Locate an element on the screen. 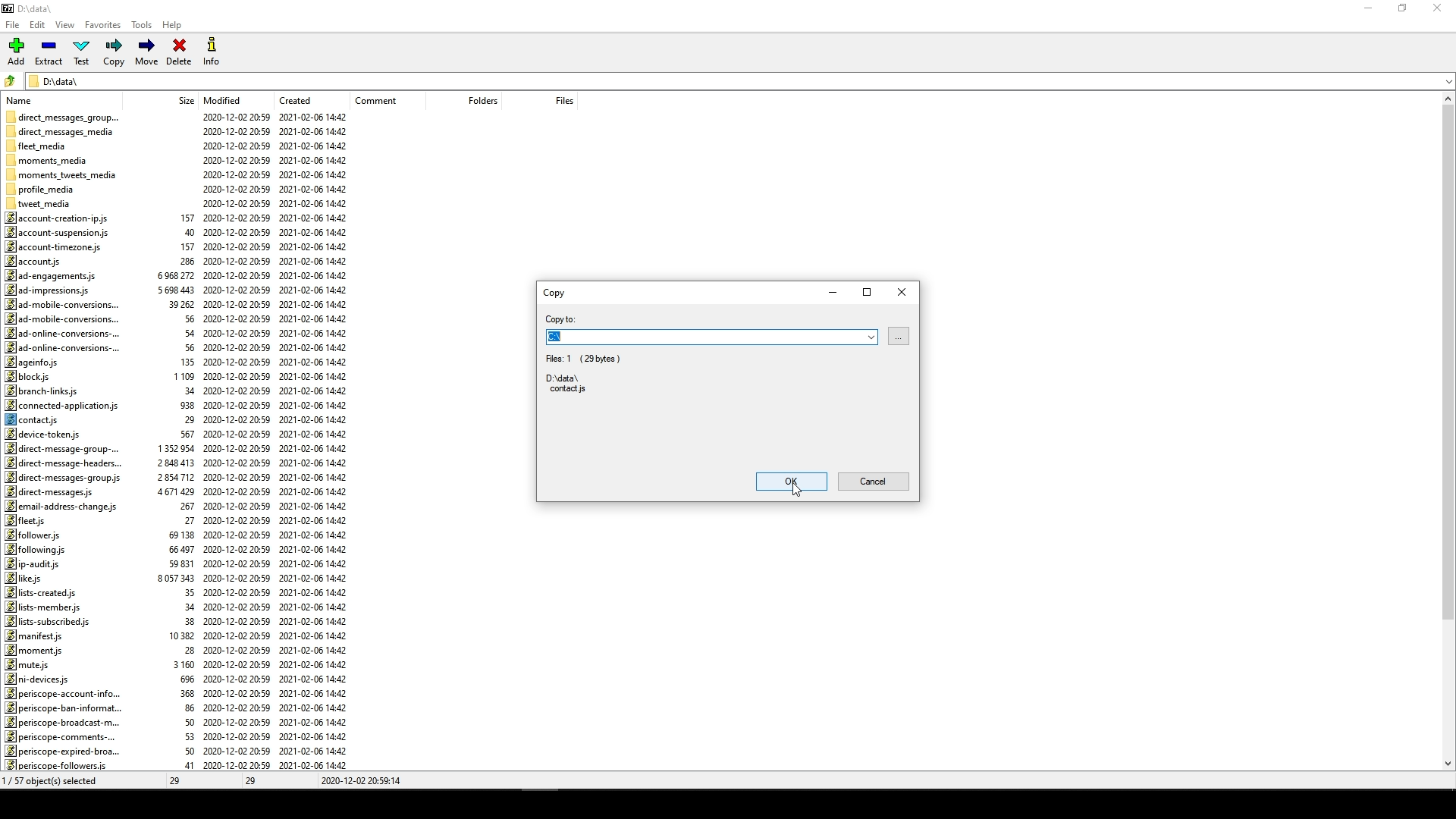 Image resolution: width=1456 pixels, height=819 pixels. lists-member.js is located at coordinates (42, 607).